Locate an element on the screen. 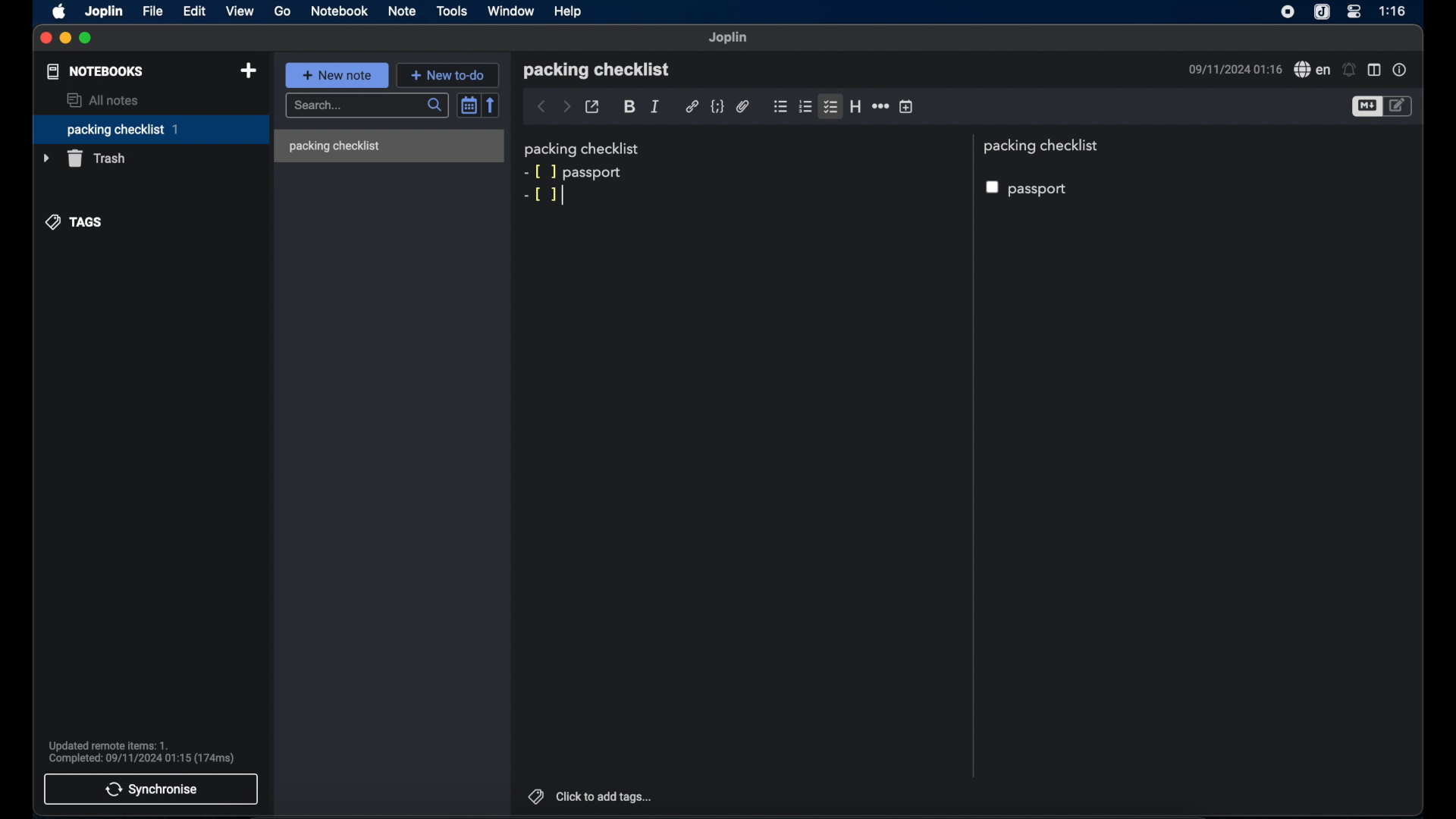 The width and height of the screenshot is (1456, 819). note is located at coordinates (403, 11).